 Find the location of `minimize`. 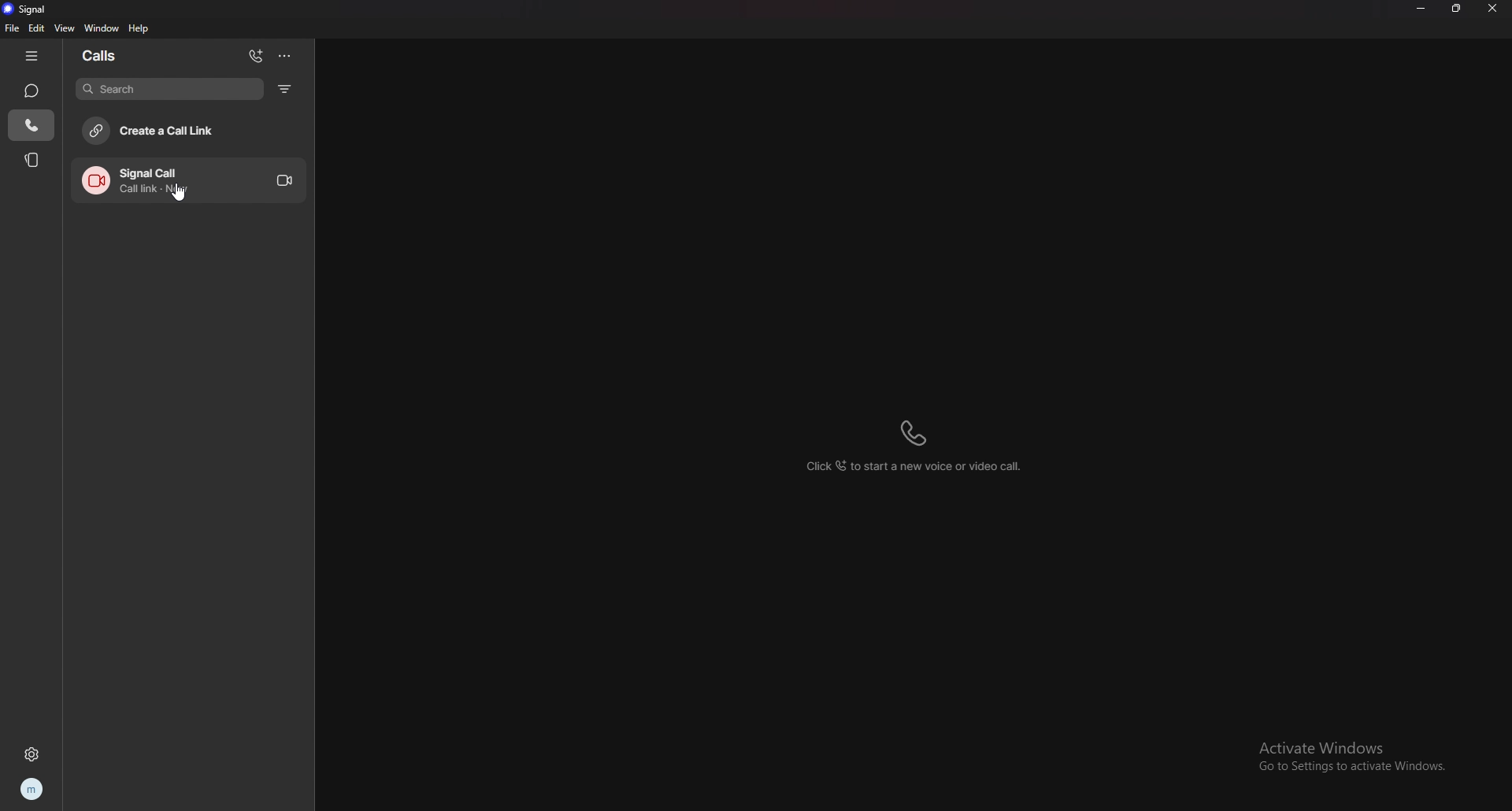

minimize is located at coordinates (1421, 8).